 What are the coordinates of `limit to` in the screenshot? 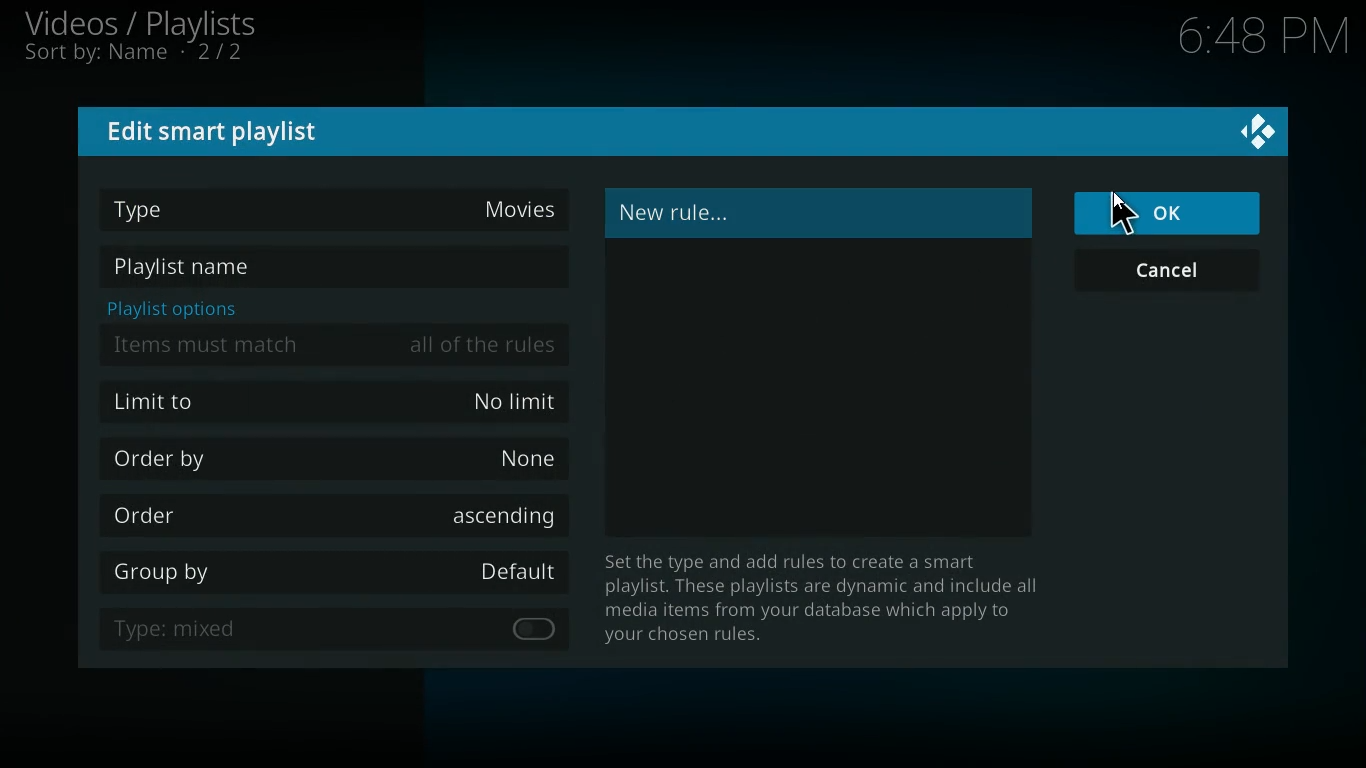 It's located at (339, 400).